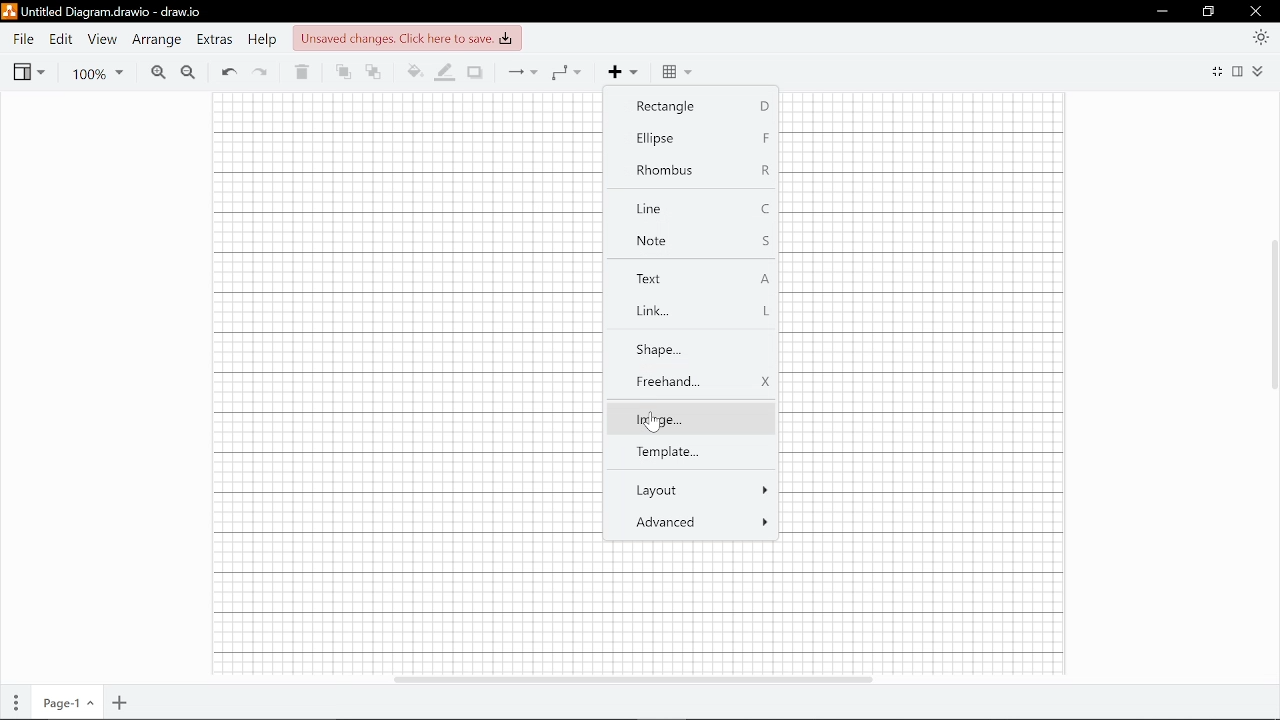 Image resolution: width=1280 pixels, height=720 pixels. What do you see at coordinates (406, 38) in the screenshot?
I see `unsaved changes. click here to save` at bounding box center [406, 38].